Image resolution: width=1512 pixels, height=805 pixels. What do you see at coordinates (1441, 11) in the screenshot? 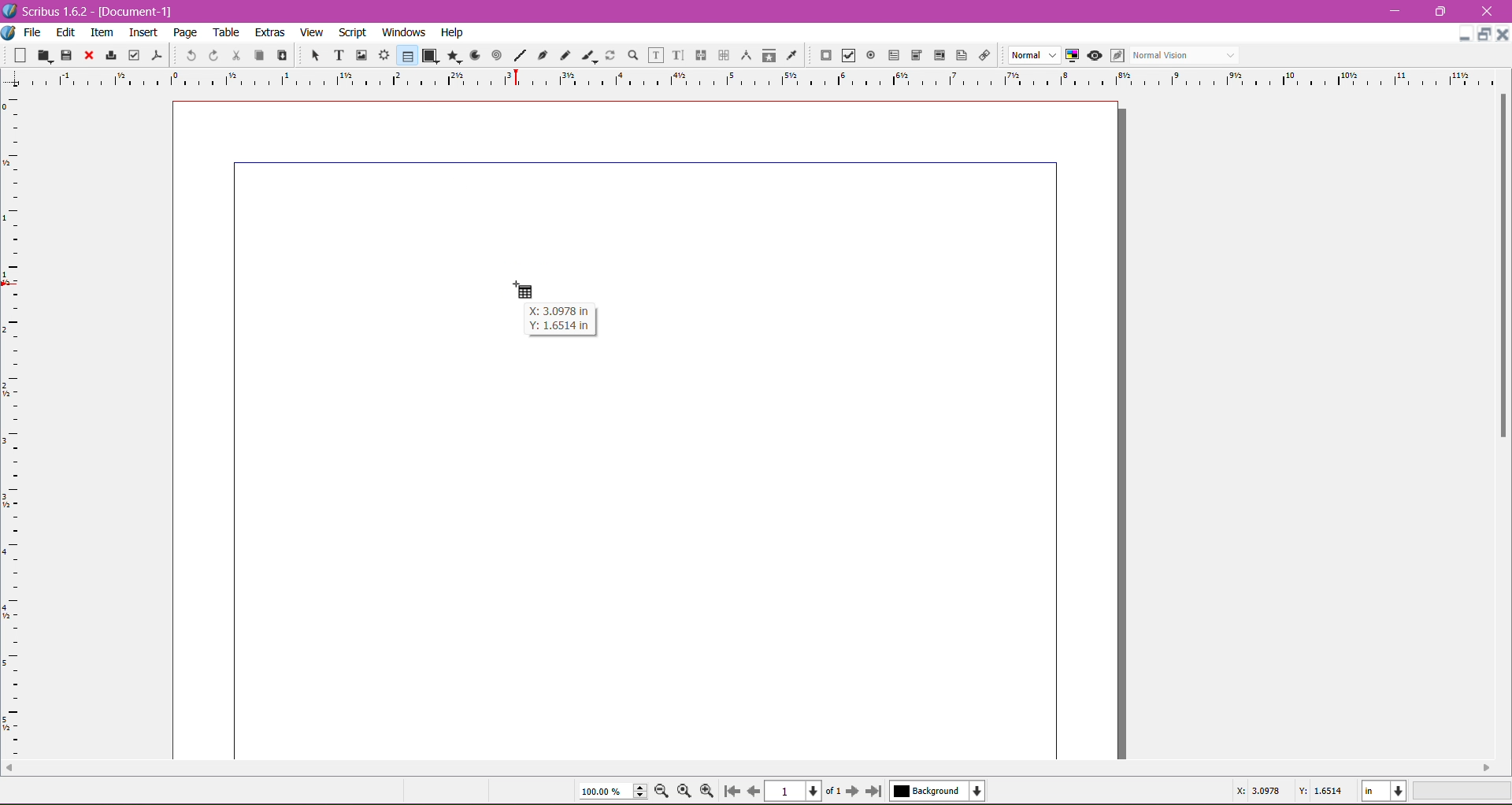
I see `Maximize` at bounding box center [1441, 11].